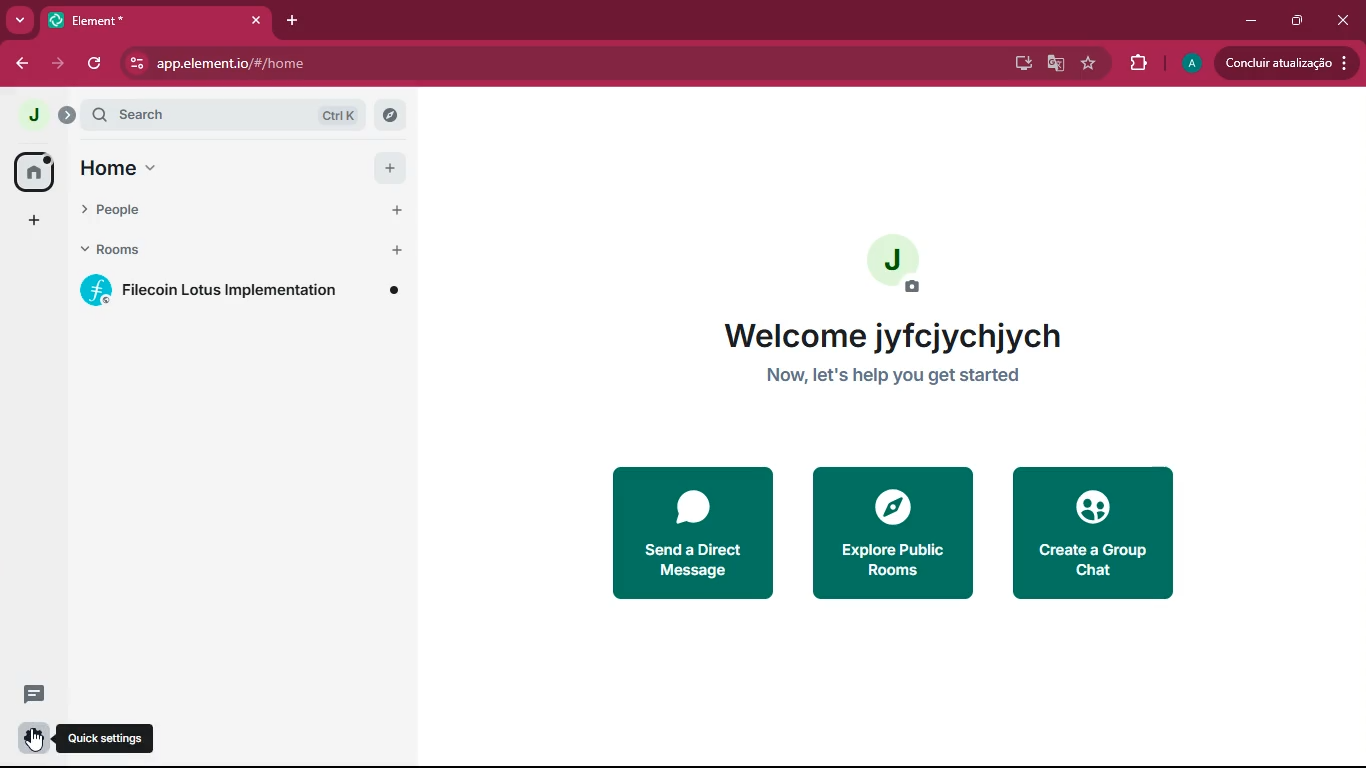 The width and height of the screenshot is (1366, 768). I want to click on expand, so click(69, 116).